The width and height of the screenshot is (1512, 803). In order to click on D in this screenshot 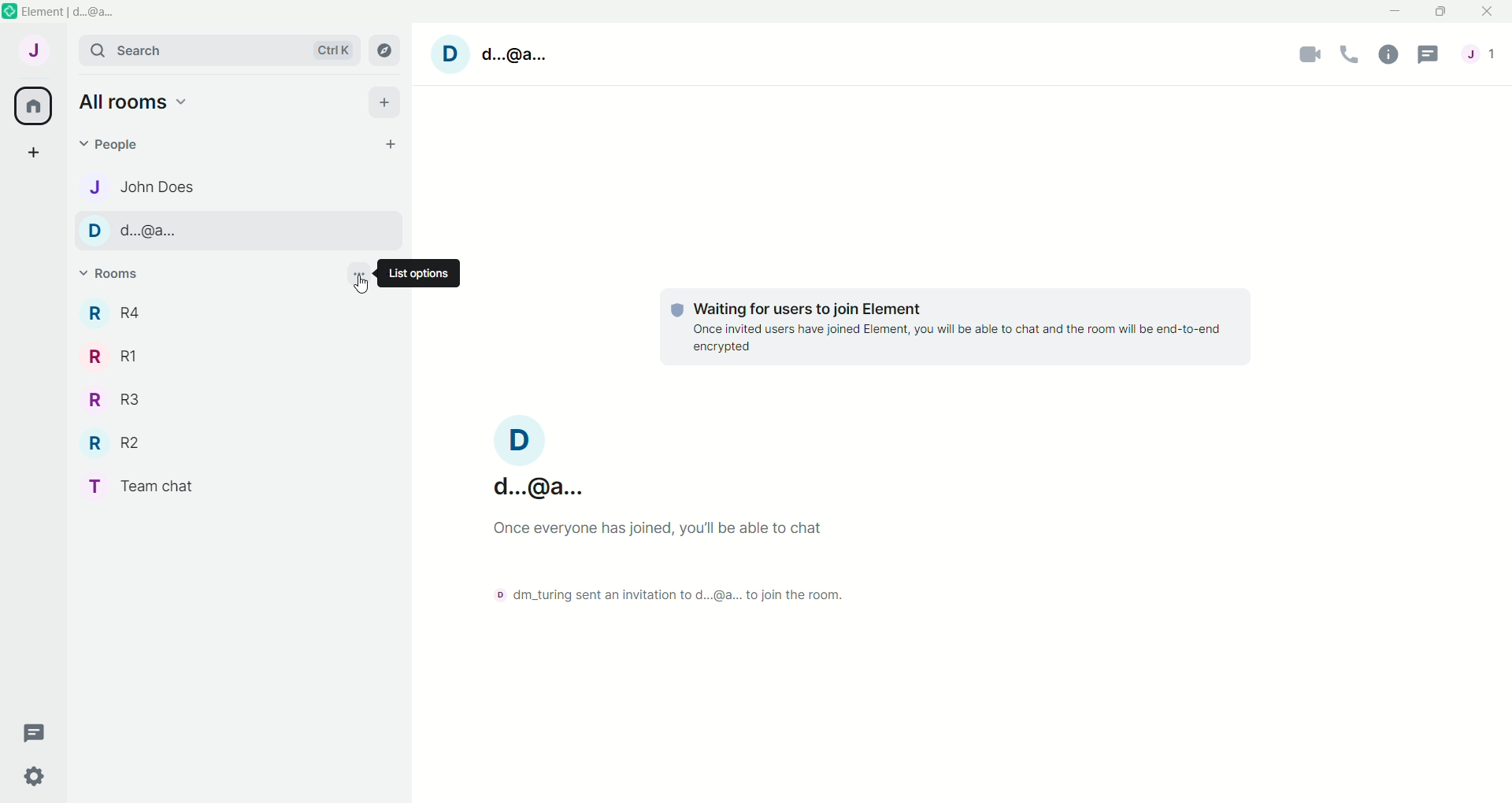, I will do `click(451, 54)`.